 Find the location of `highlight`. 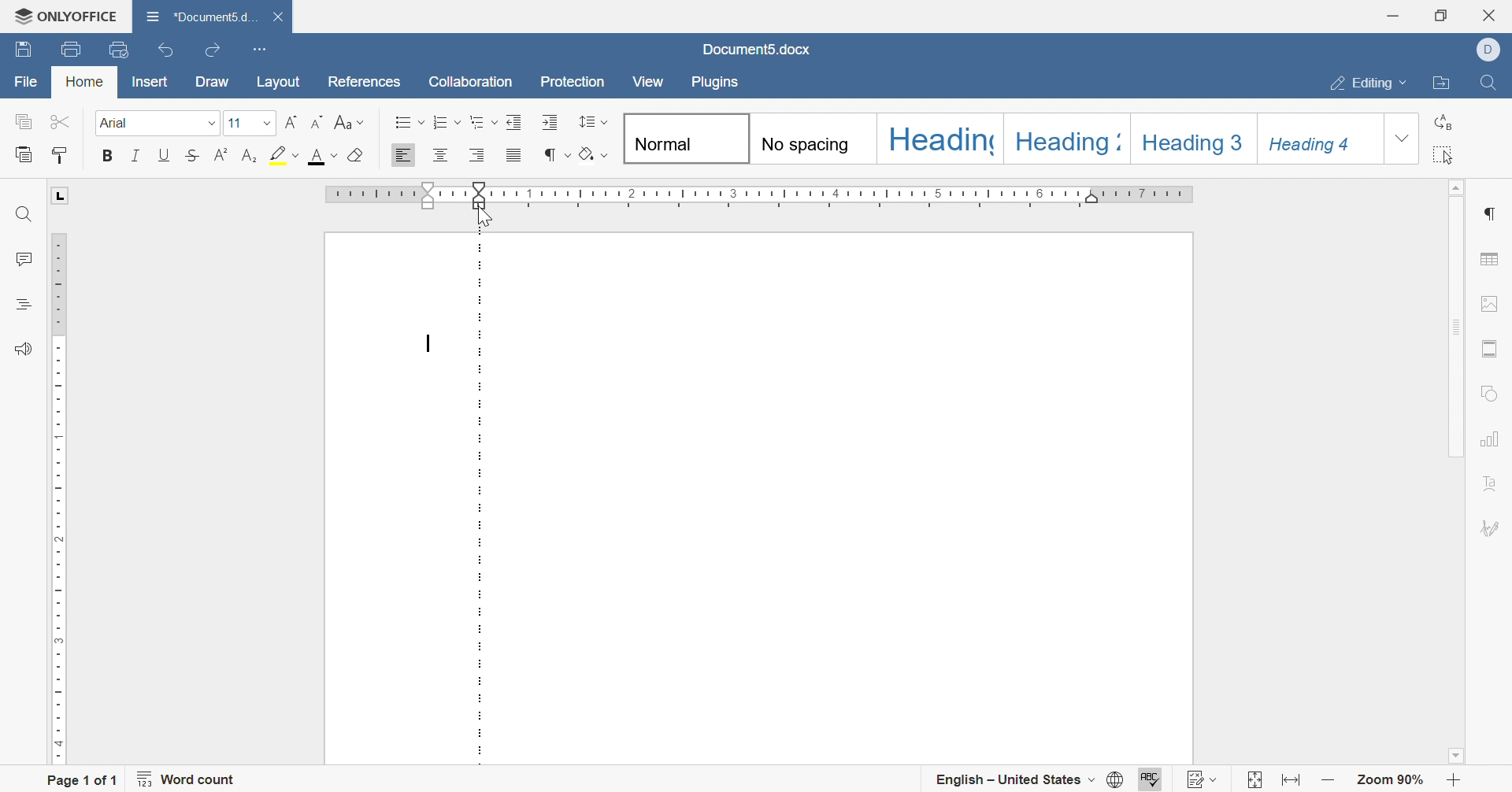

highlight is located at coordinates (284, 154).